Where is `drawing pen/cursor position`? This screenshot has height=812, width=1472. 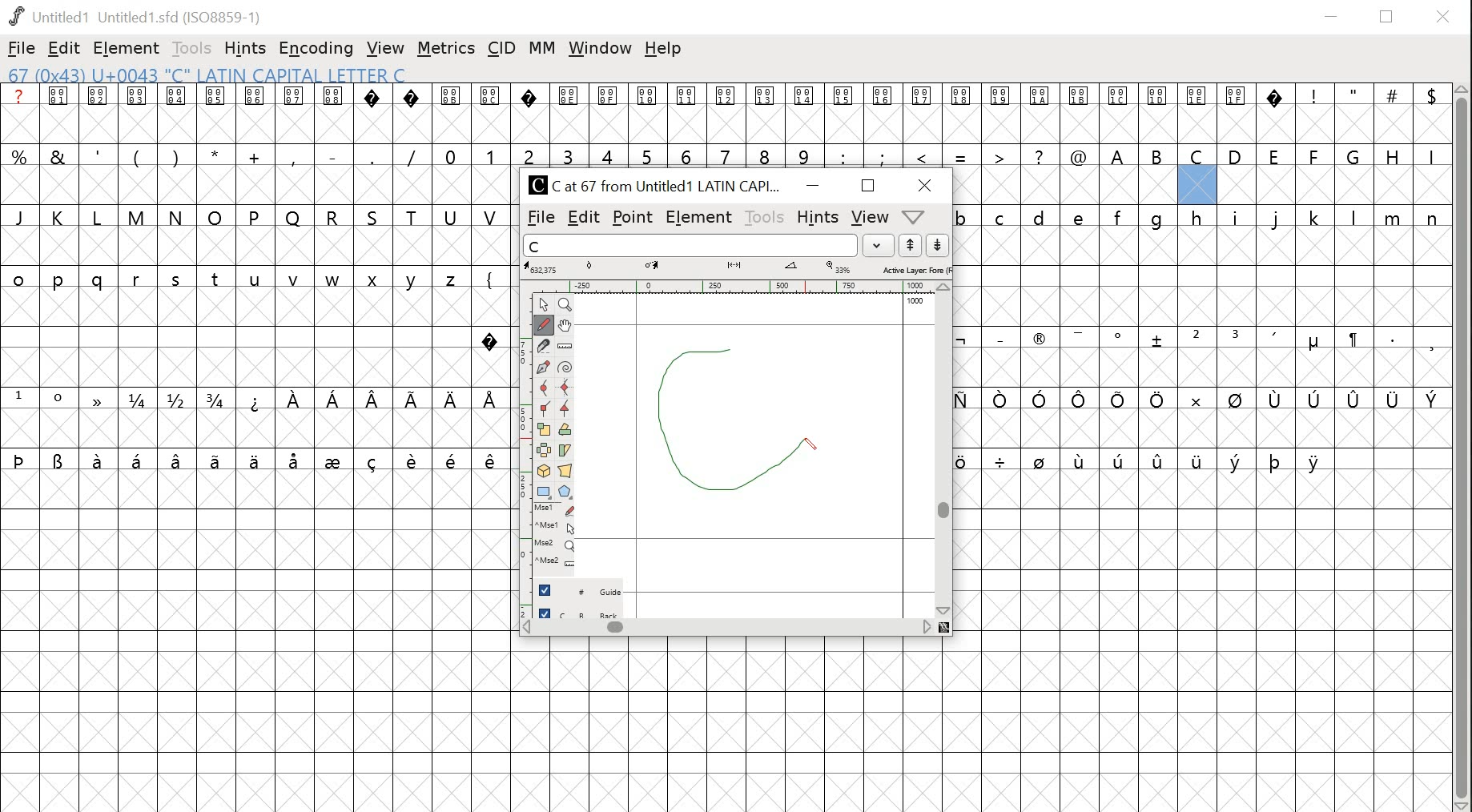
drawing pen/cursor position is located at coordinates (810, 450).